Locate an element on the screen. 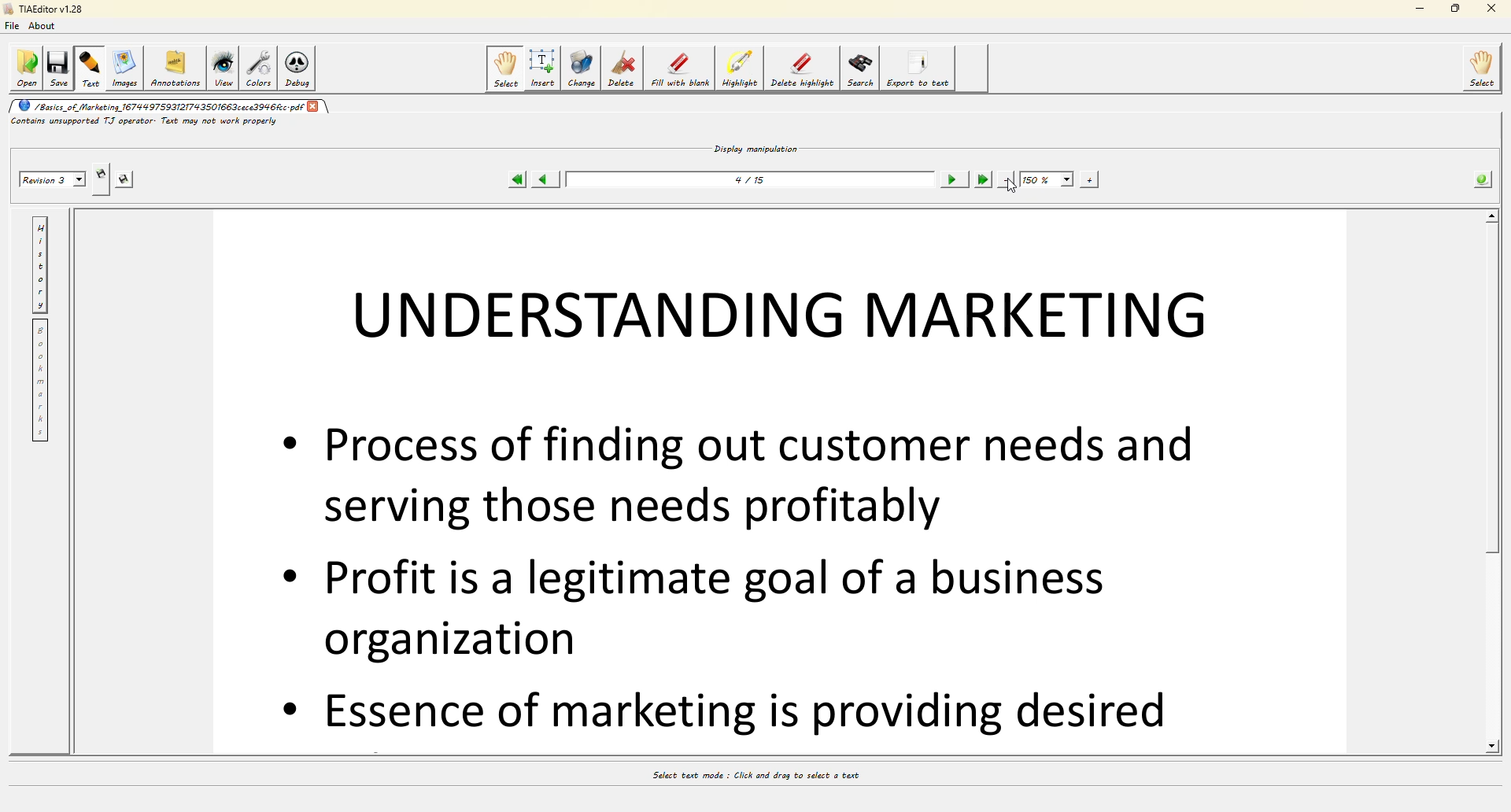 This screenshot has width=1511, height=812. crop text is located at coordinates (789, 488).